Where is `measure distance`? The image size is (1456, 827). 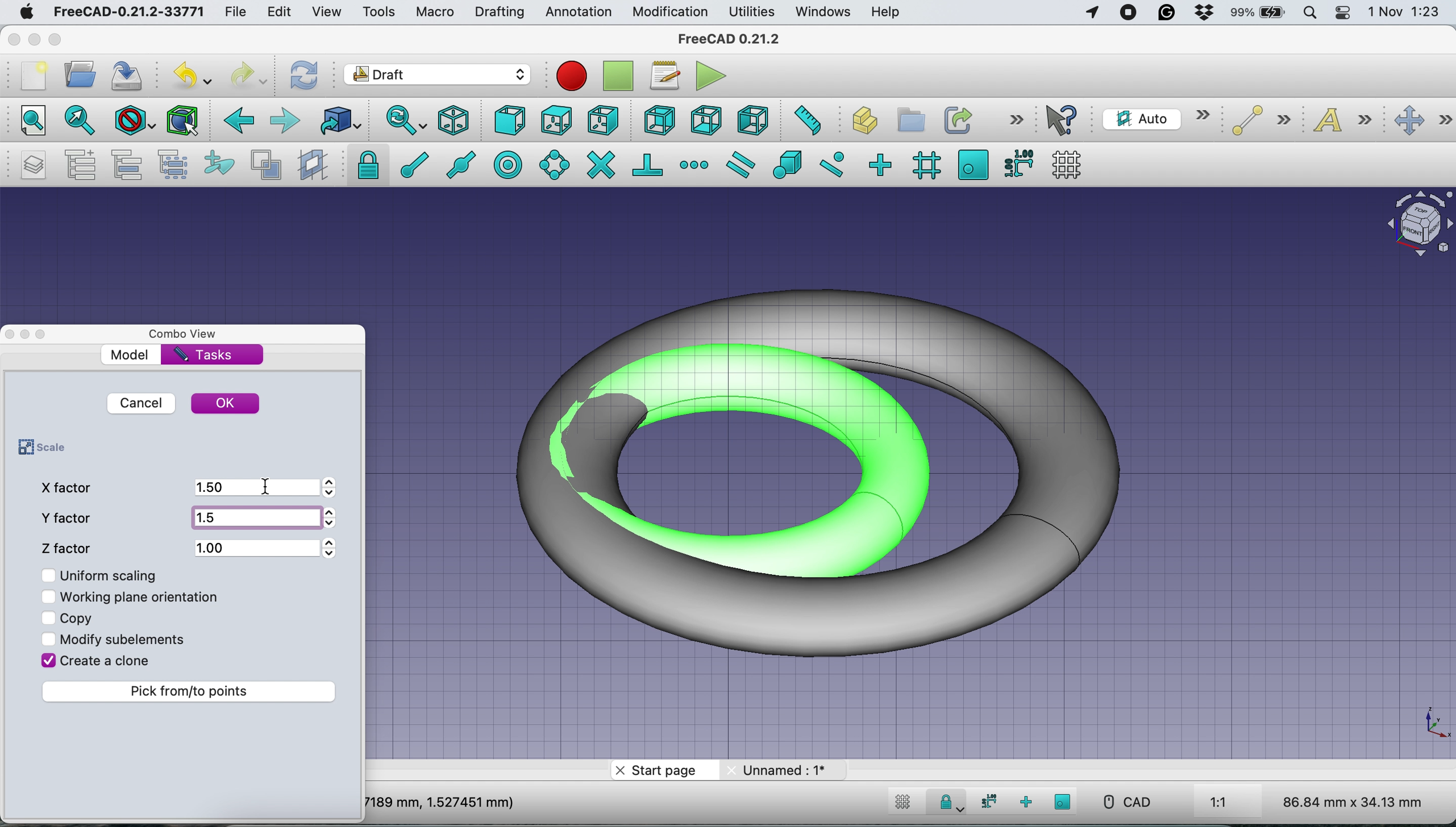
measure distance is located at coordinates (806, 122).